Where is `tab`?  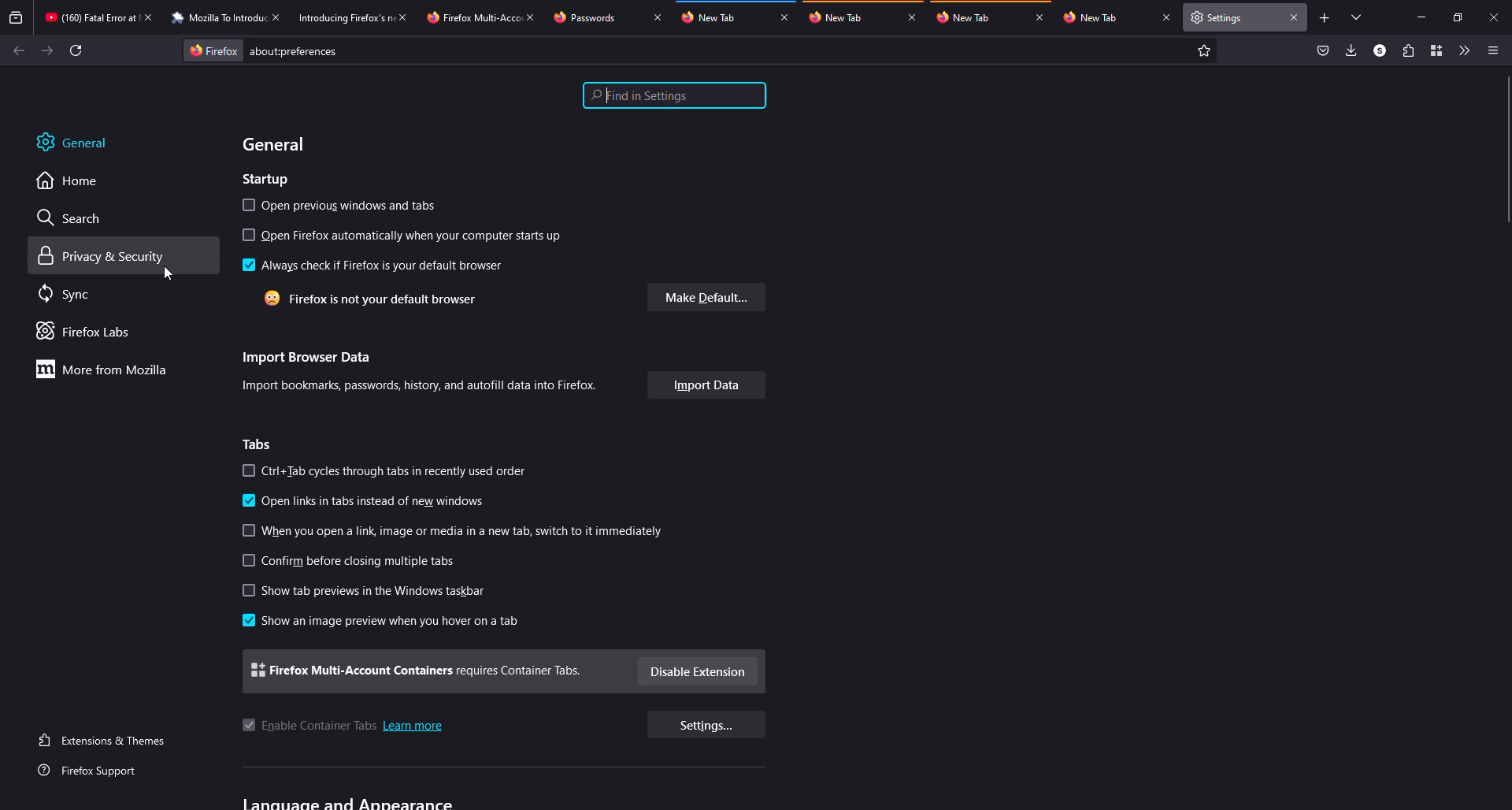 tab is located at coordinates (90, 17).